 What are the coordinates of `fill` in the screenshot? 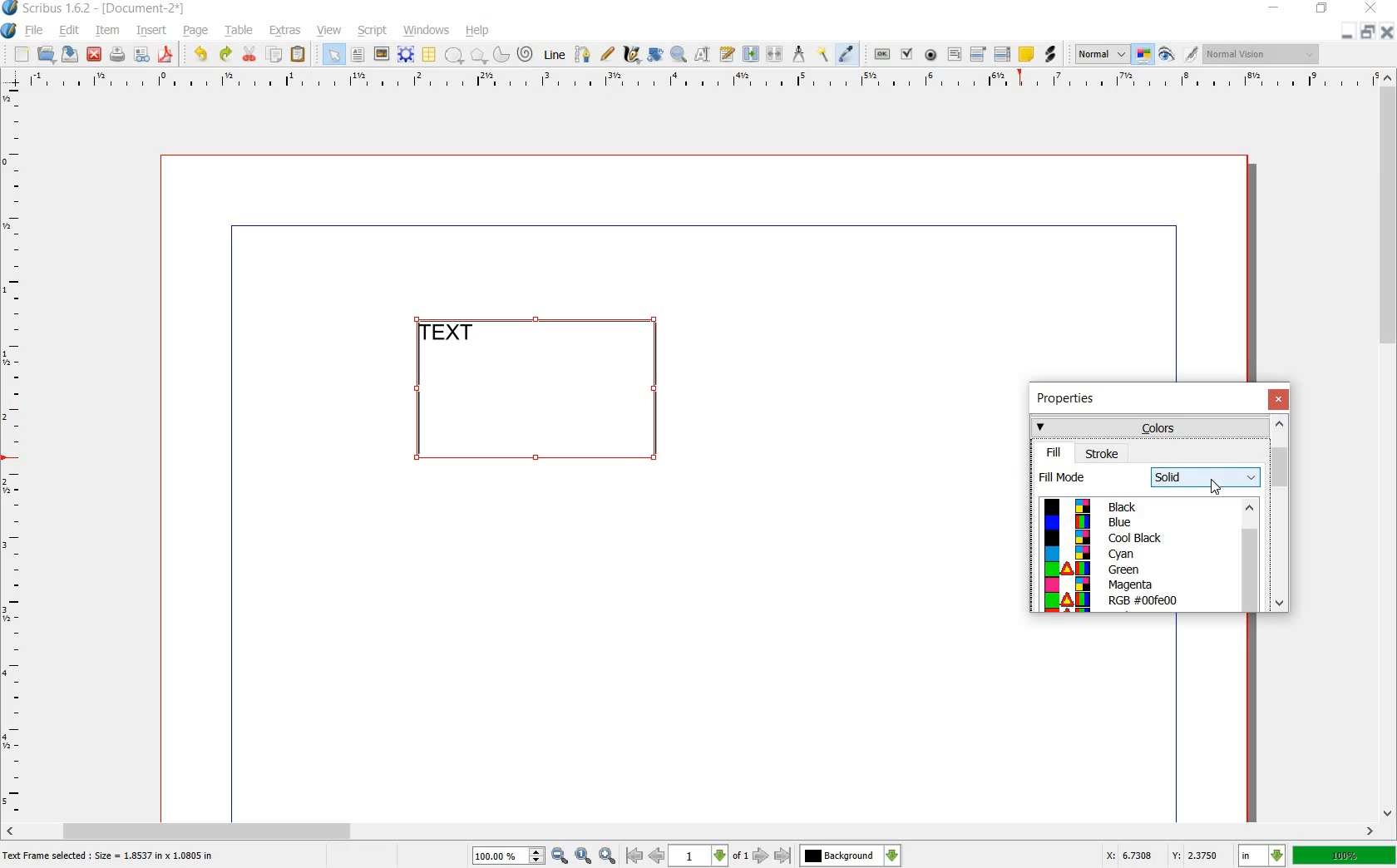 It's located at (1054, 452).